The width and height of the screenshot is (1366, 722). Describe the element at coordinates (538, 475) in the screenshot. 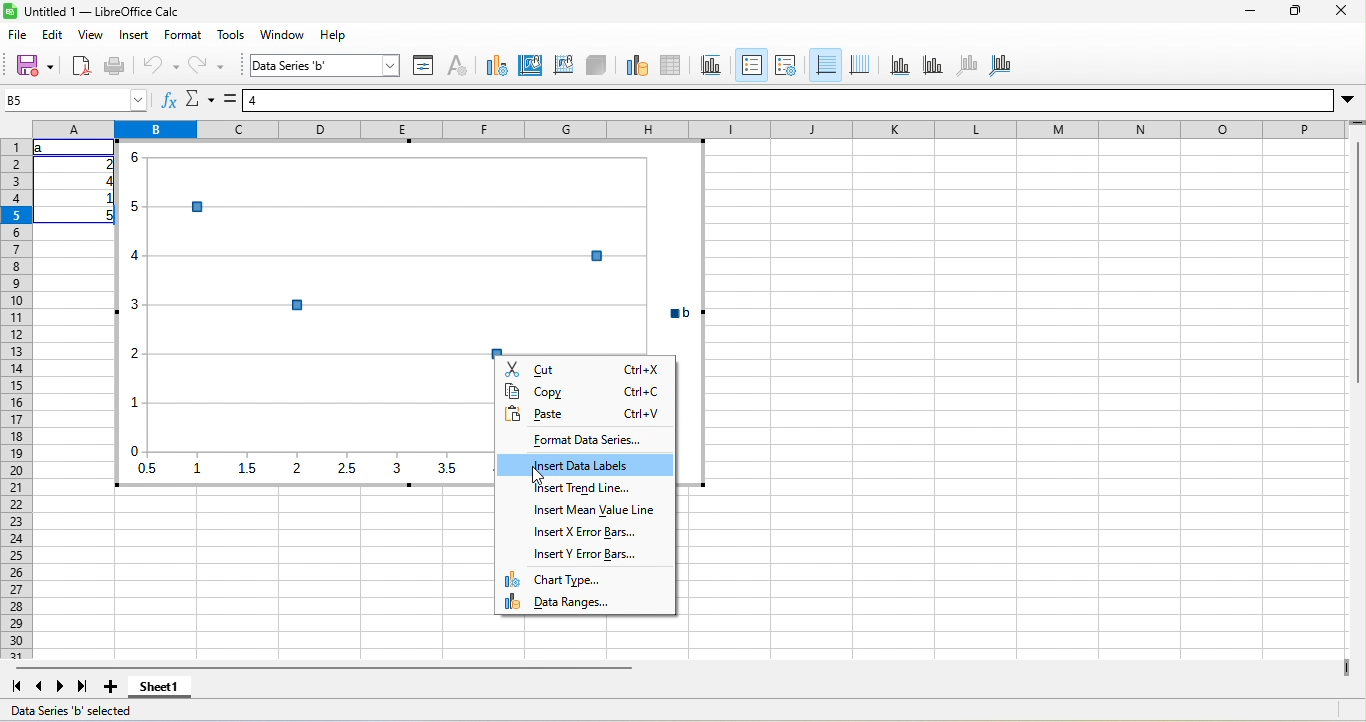

I see `cursor` at that location.